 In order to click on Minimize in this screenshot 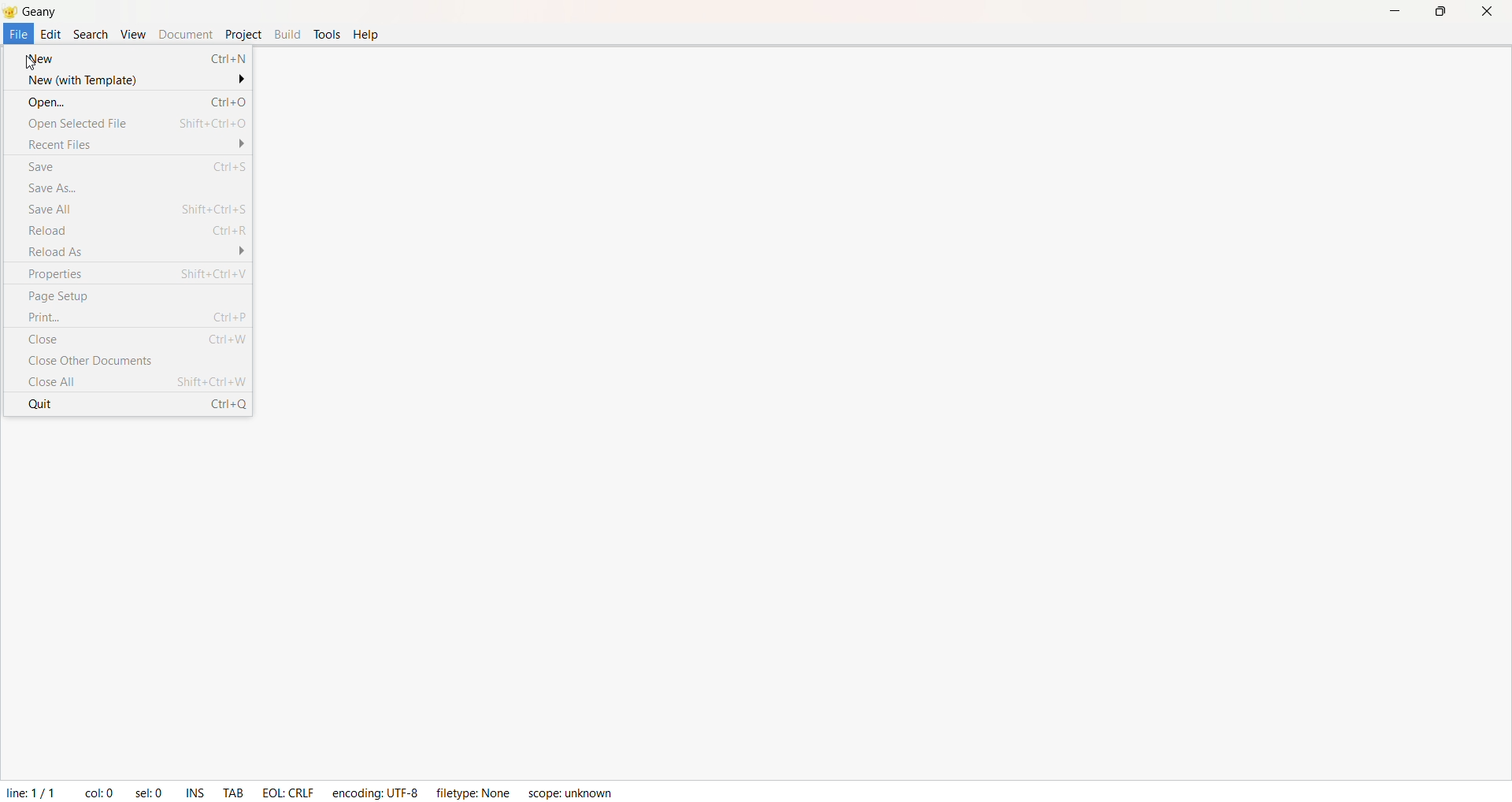, I will do `click(1397, 13)`.